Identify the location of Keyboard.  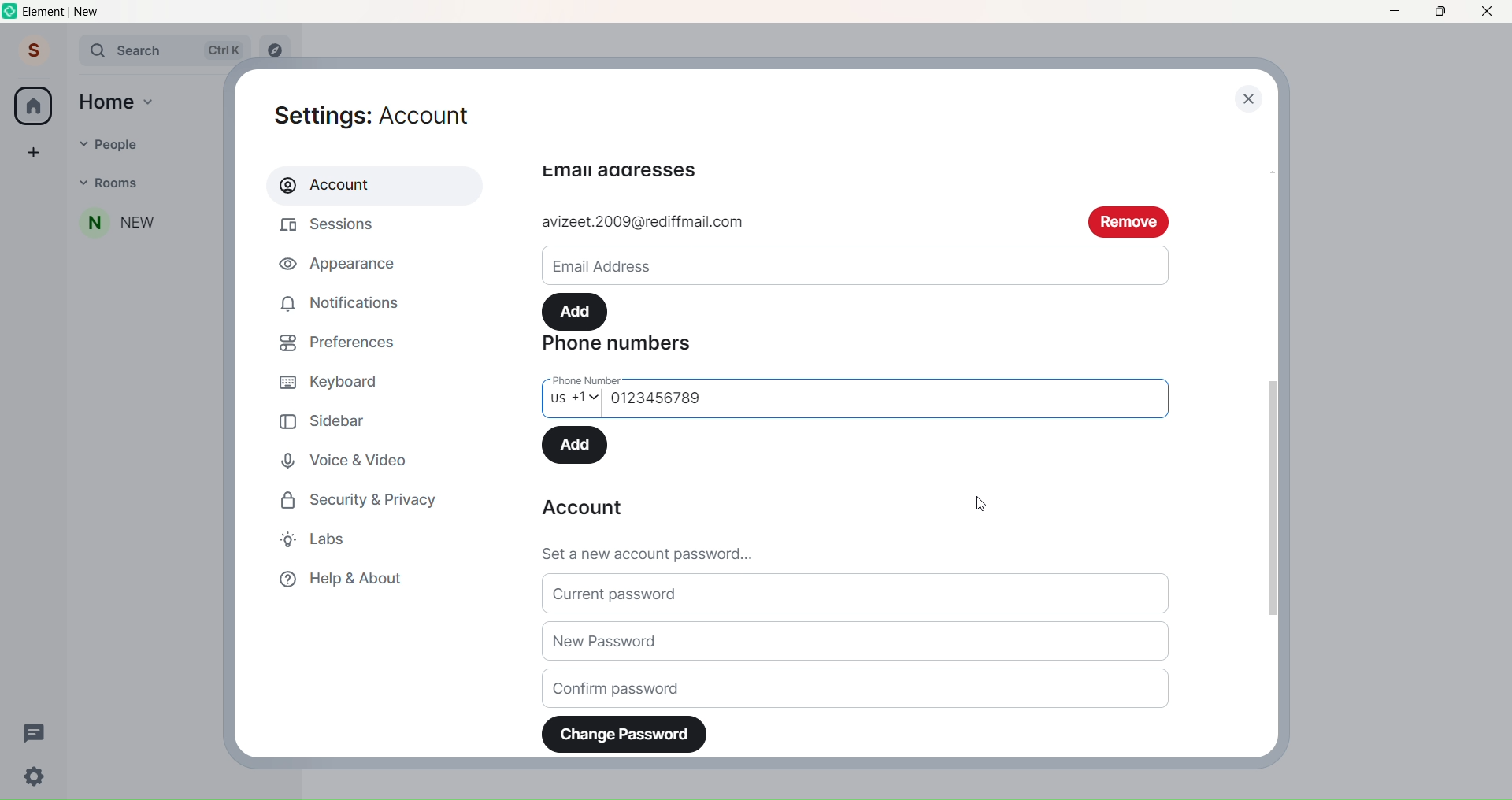
(340, 380).